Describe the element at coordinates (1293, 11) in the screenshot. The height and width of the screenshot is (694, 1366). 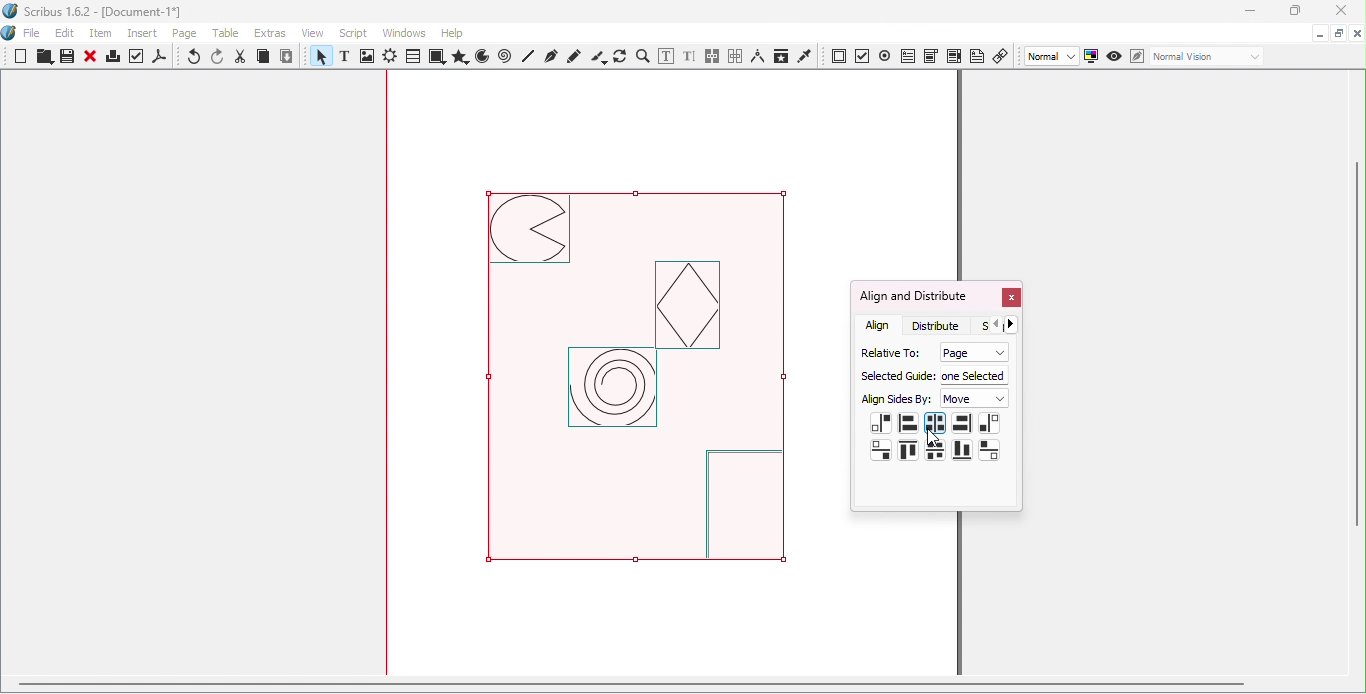
I see `Maximize` at that location.